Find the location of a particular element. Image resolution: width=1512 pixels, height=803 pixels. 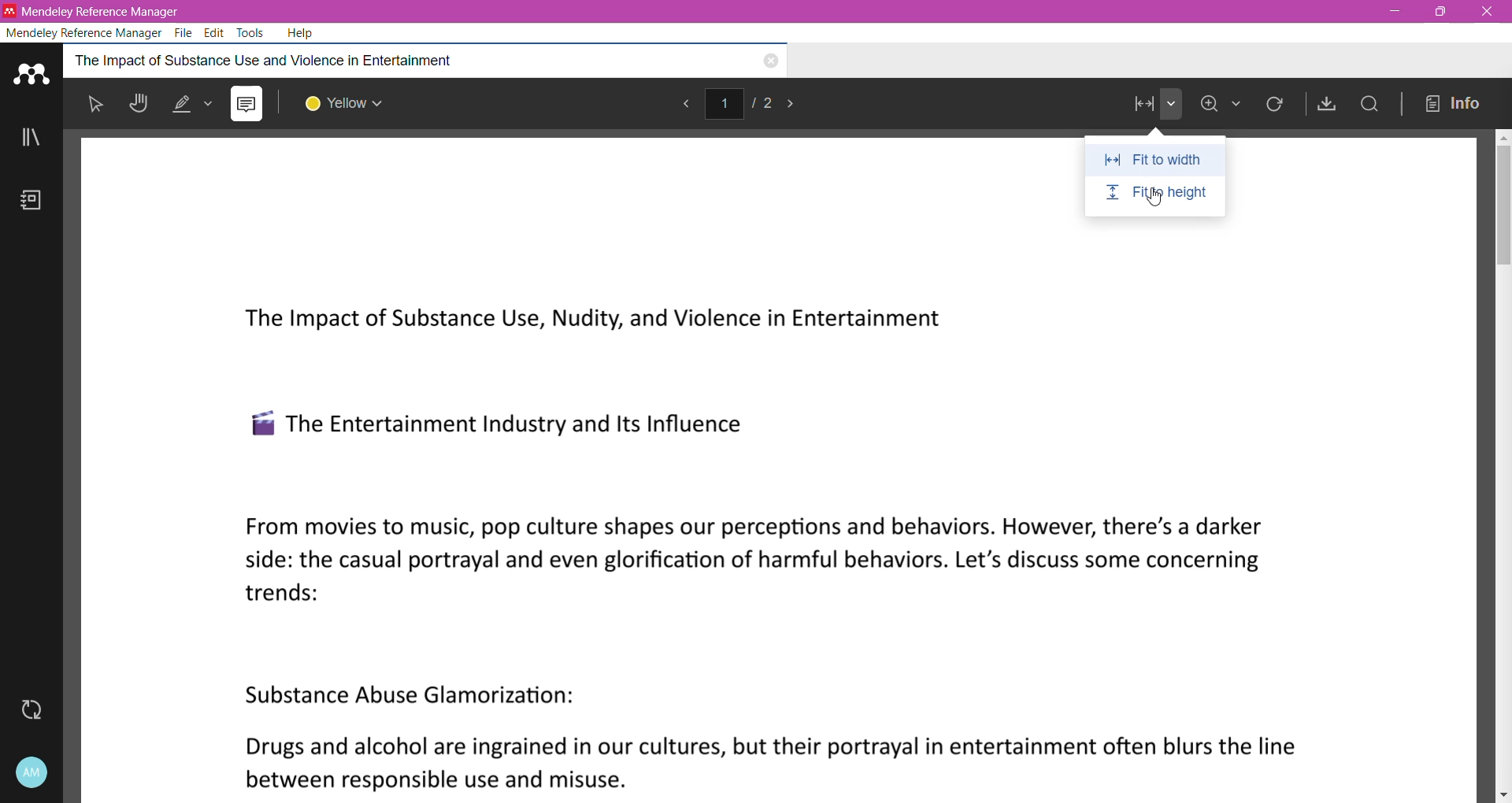

cursor is located at coordinates (1157, 204).